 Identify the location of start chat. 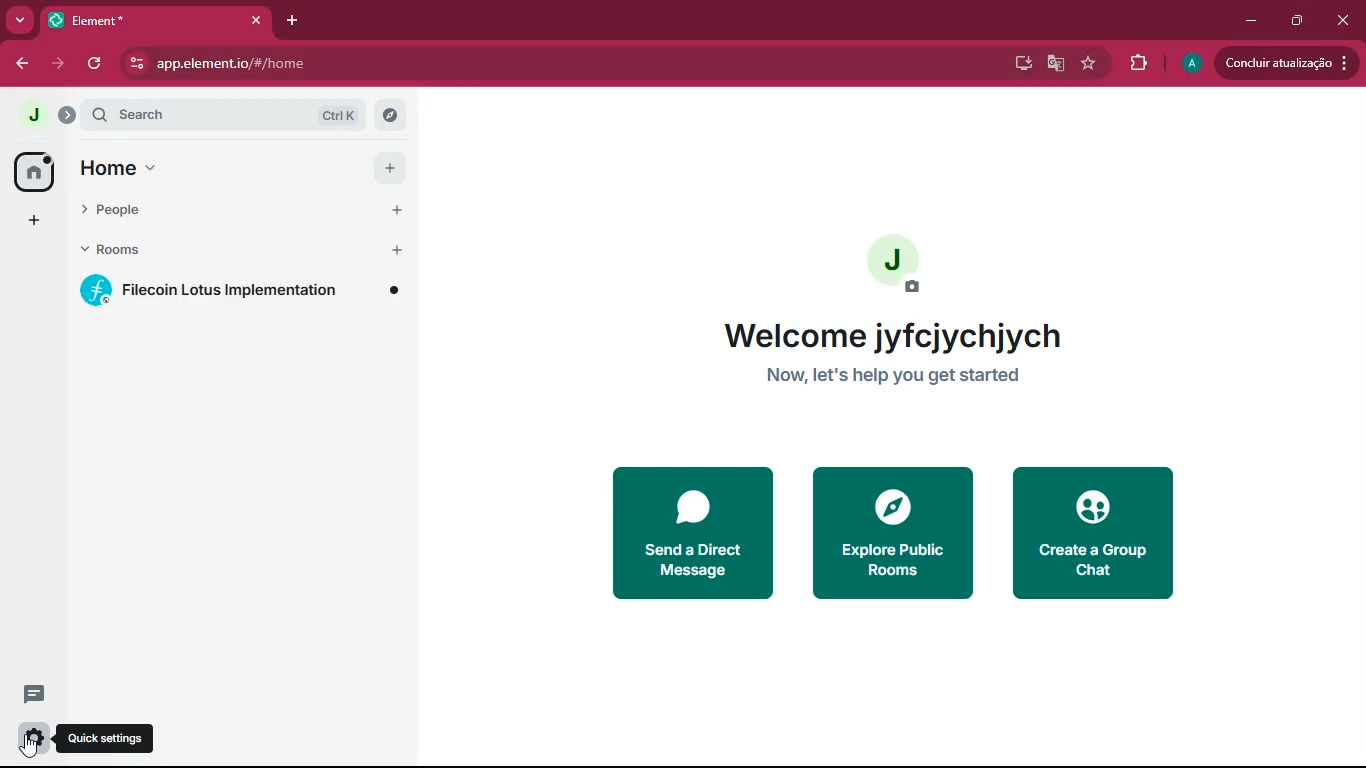
(396, 212).